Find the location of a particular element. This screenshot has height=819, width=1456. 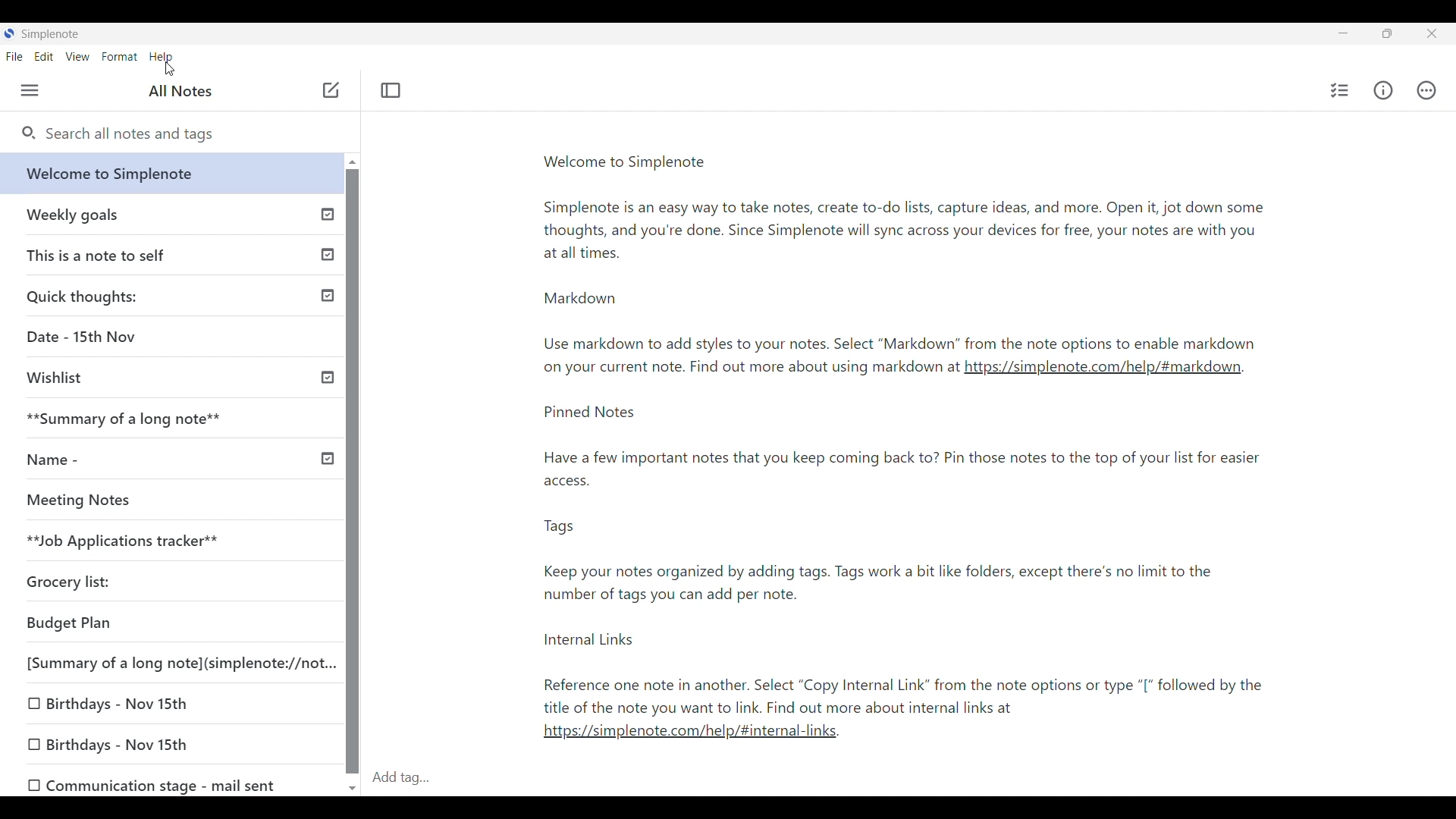

Software logo is located at coordinates (9, 33).